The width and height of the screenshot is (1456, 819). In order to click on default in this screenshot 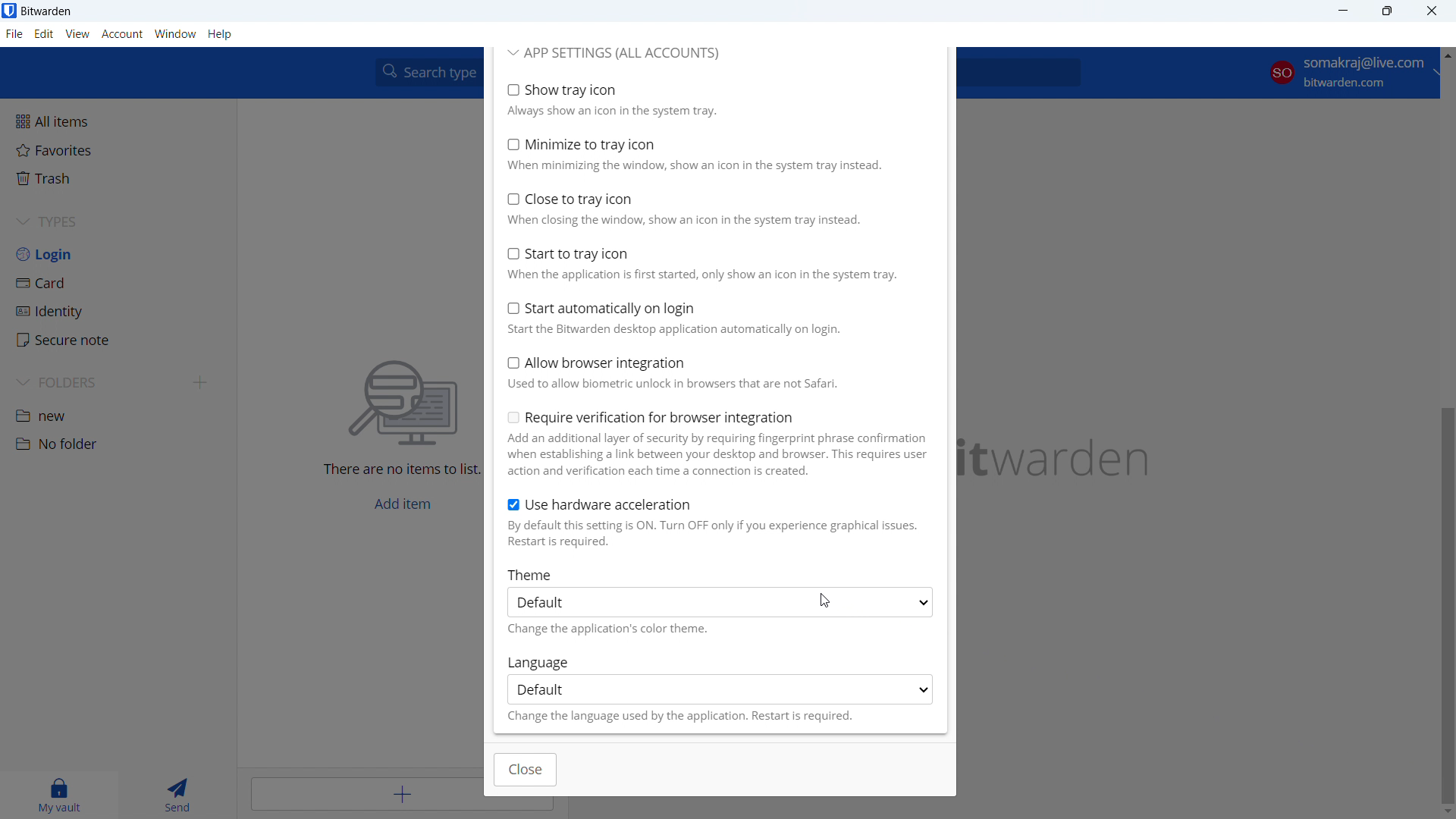, I will do `click(720, 689)`.